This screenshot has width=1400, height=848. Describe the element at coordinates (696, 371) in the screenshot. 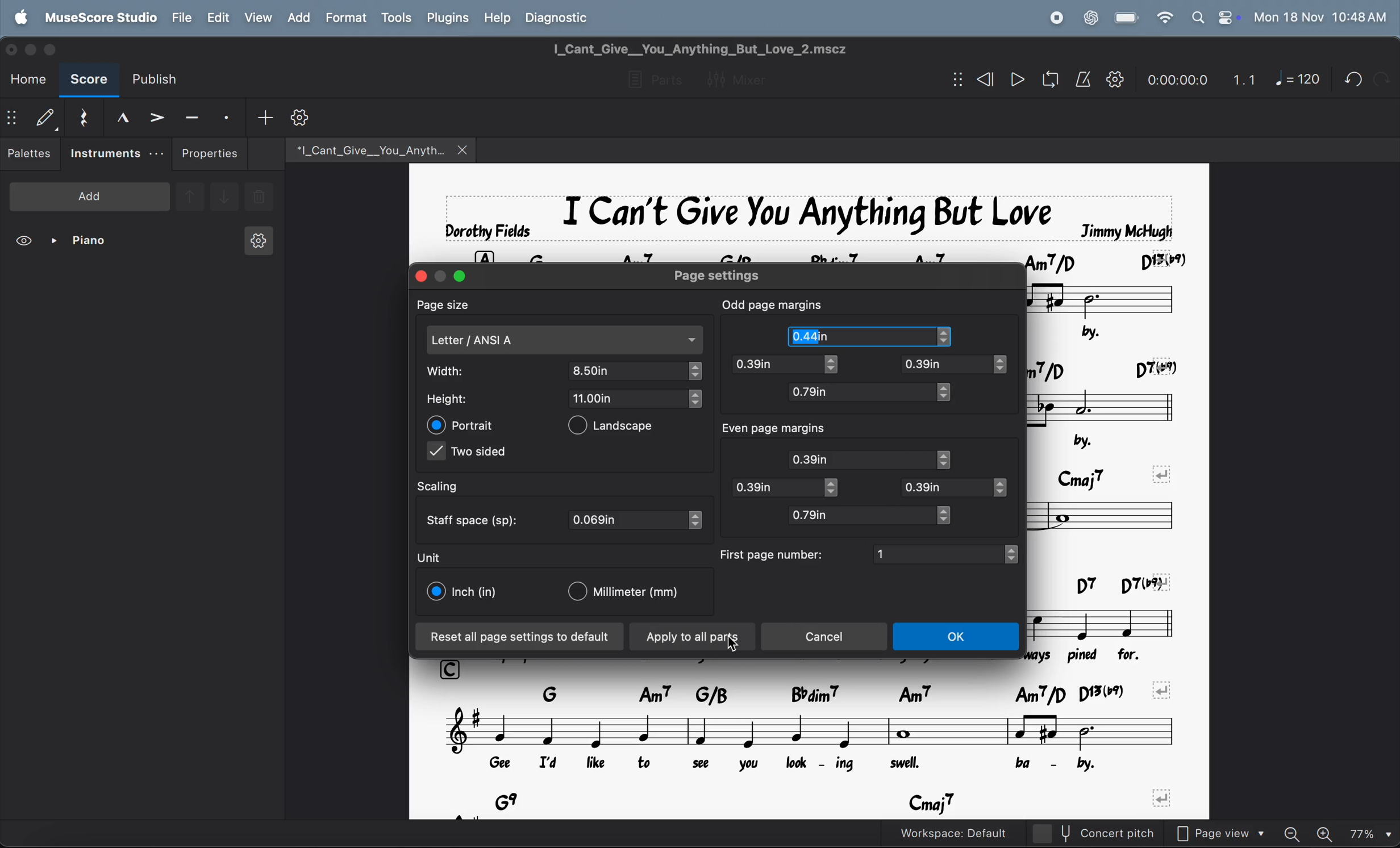

I see `toggle` at that location.